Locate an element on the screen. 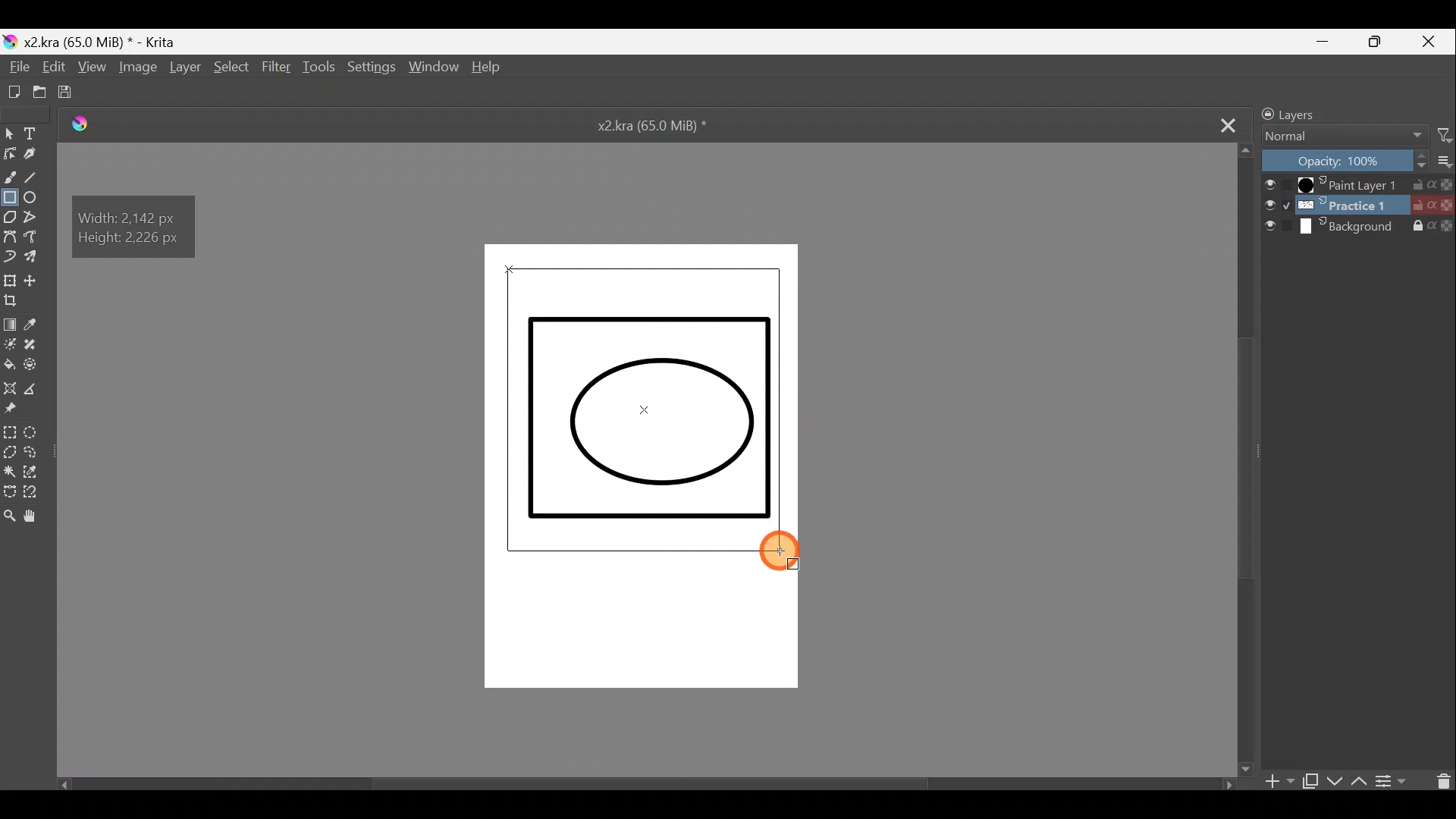  Rectangular selection tool is located at coordinates (11, 434).